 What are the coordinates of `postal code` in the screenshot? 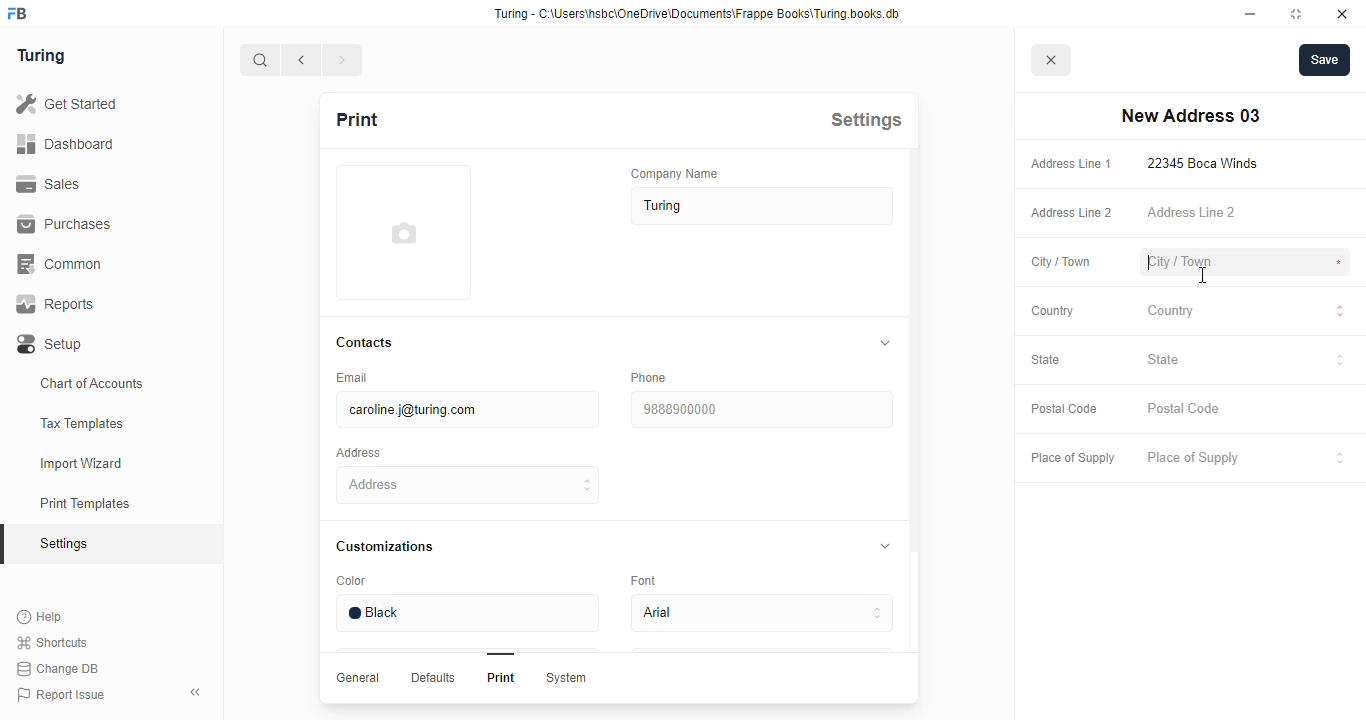 It's located at (1063, 409).